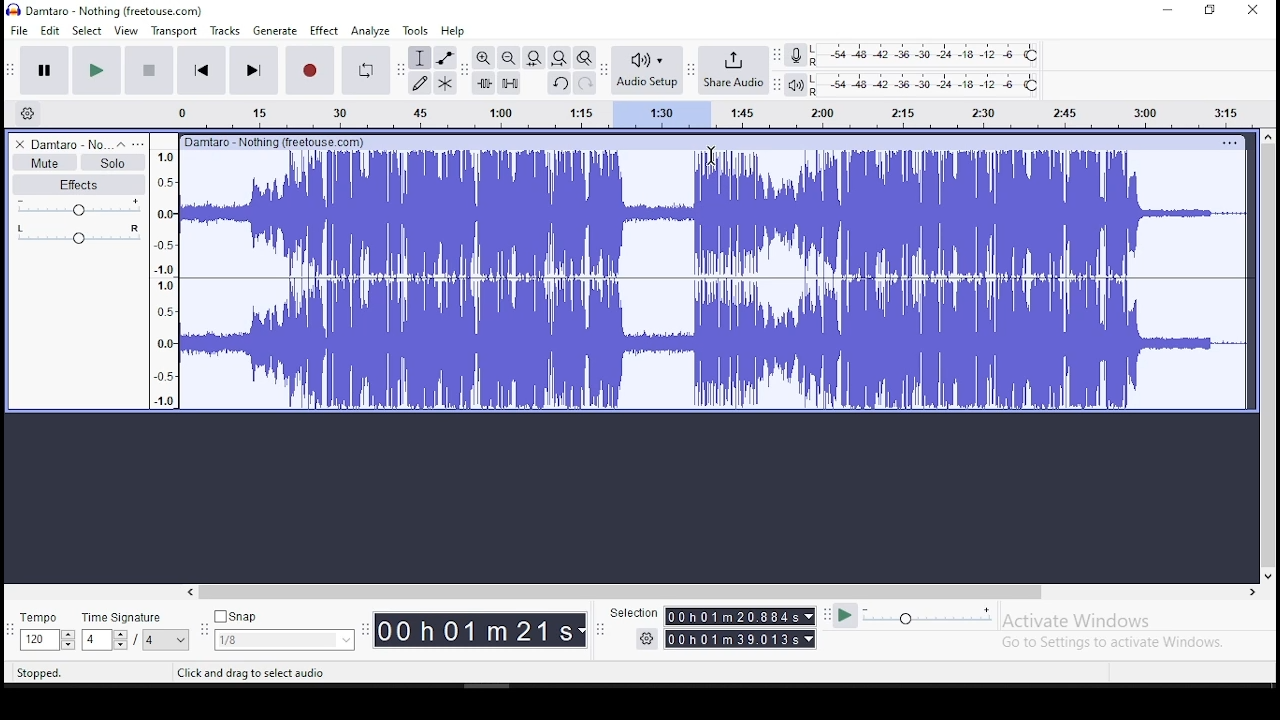  Describe the element at coordinates (371, 31) in the screenshot. I see `analyze` at that location.